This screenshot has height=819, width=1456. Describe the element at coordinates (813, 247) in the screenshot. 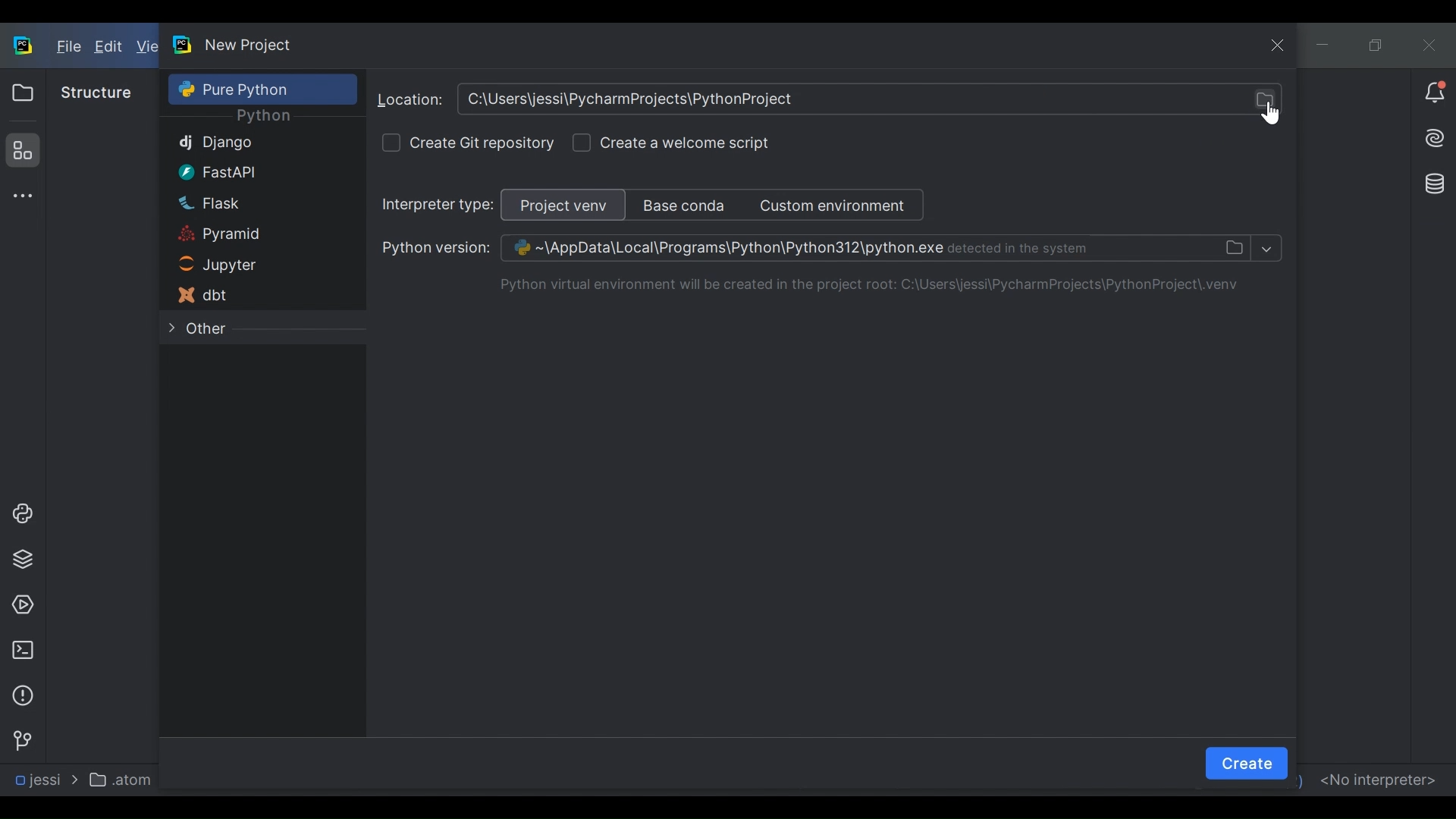

I see `Browse Python Version` at that location.